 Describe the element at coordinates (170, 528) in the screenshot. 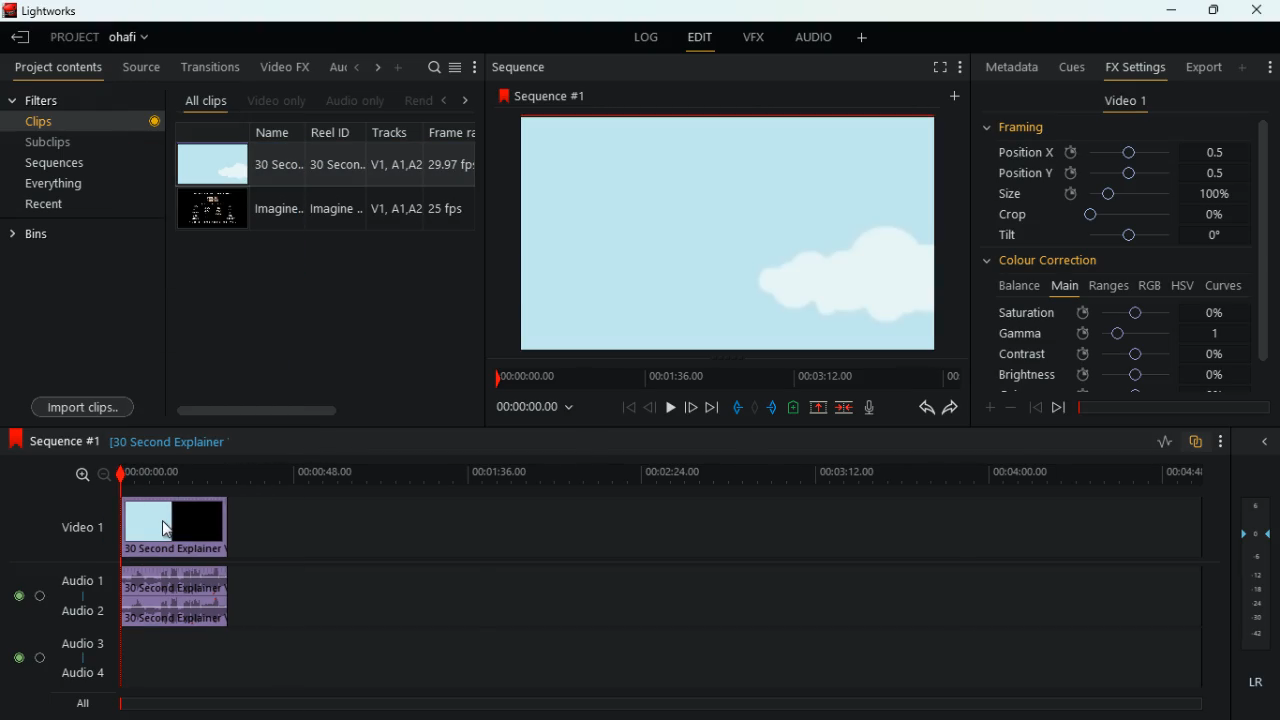

I see `cursor` at that location.